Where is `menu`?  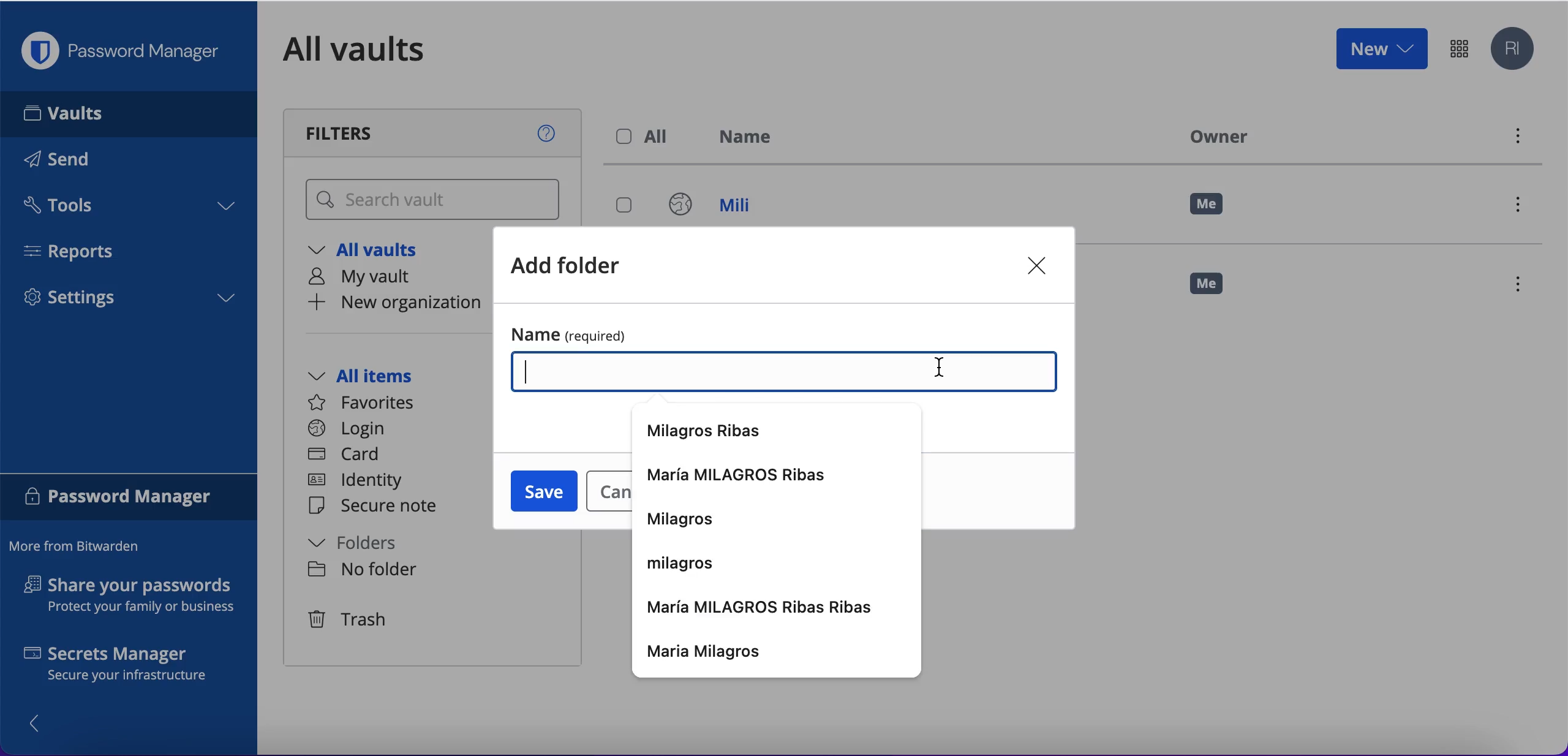
menu is located at coordinates (1516, 139).